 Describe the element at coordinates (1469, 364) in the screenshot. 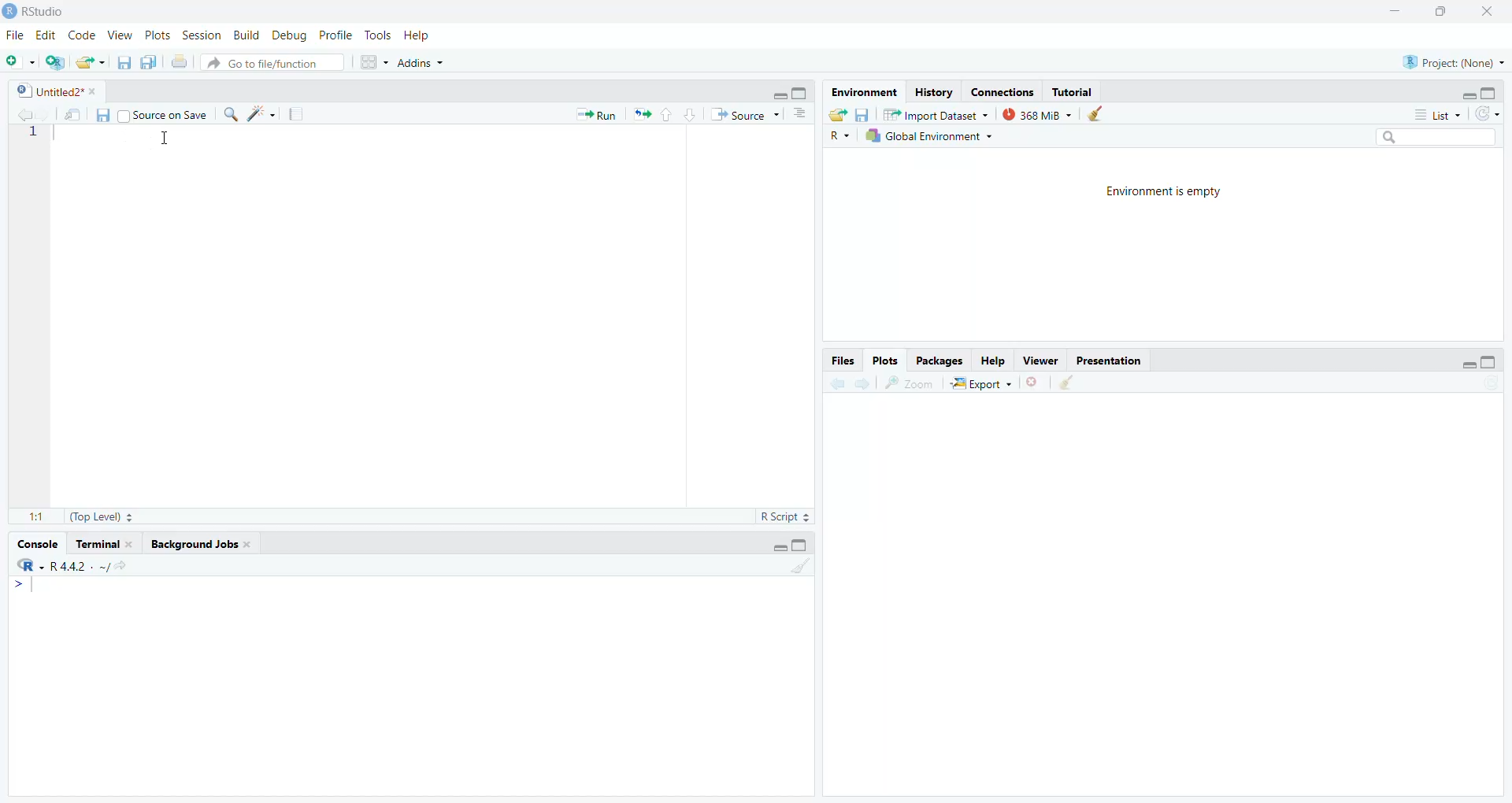

I see `minimise` at that location.